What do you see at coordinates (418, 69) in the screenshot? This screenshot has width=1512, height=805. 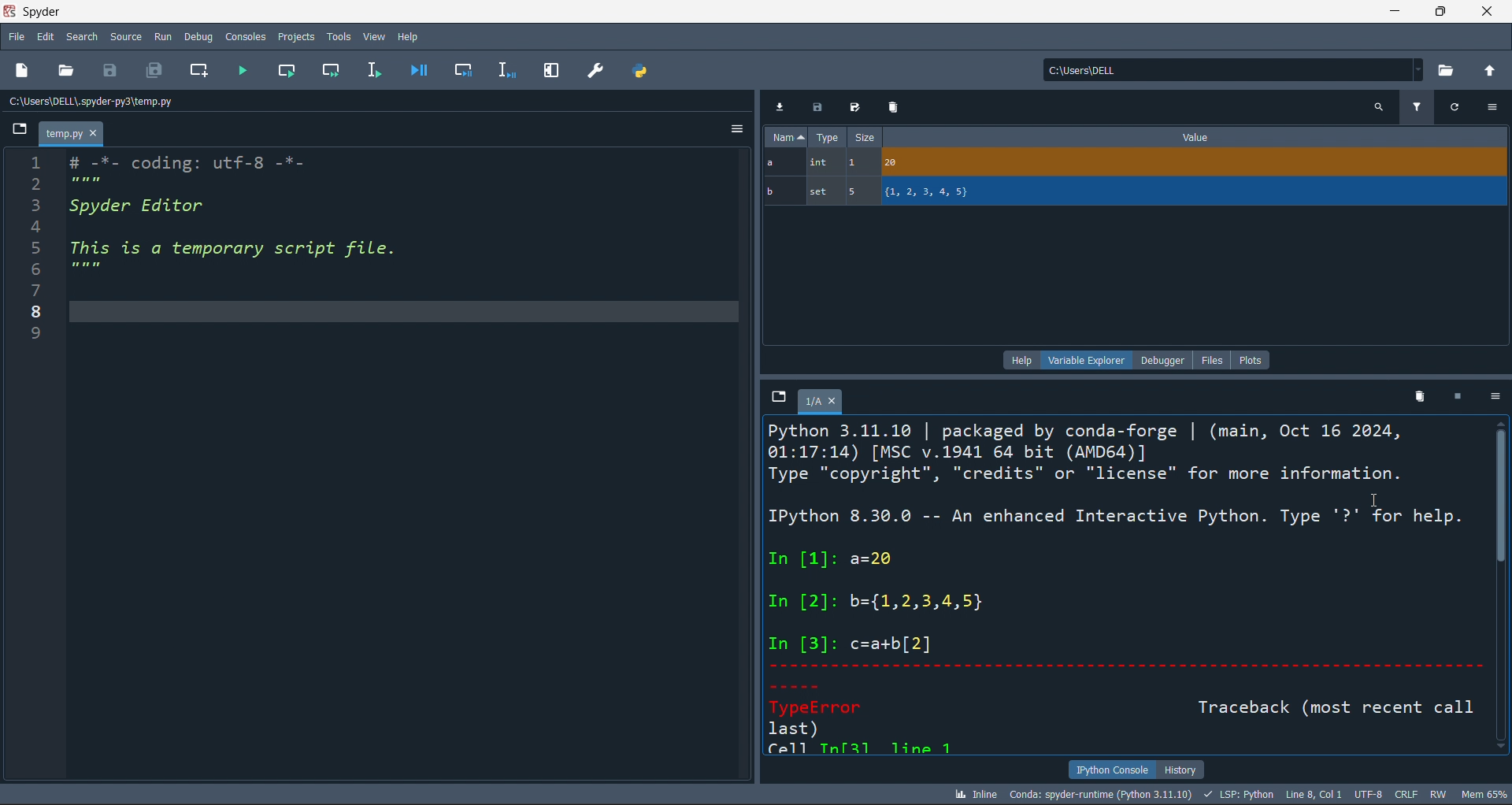 I see `debug file` at bounding box center [418, 69].